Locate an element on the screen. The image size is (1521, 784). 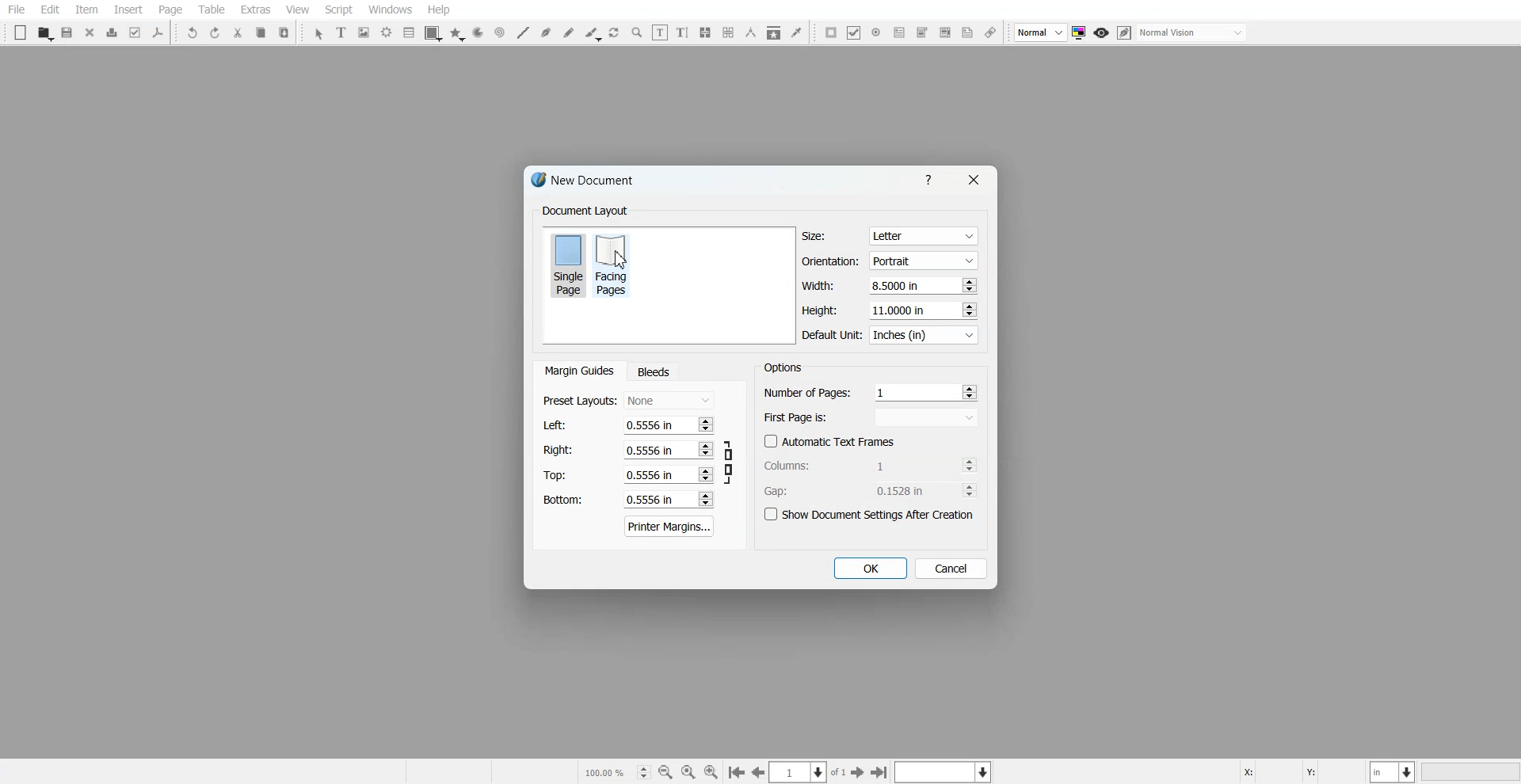
Increase and decrease No.  is located at coordinates (967, 310).